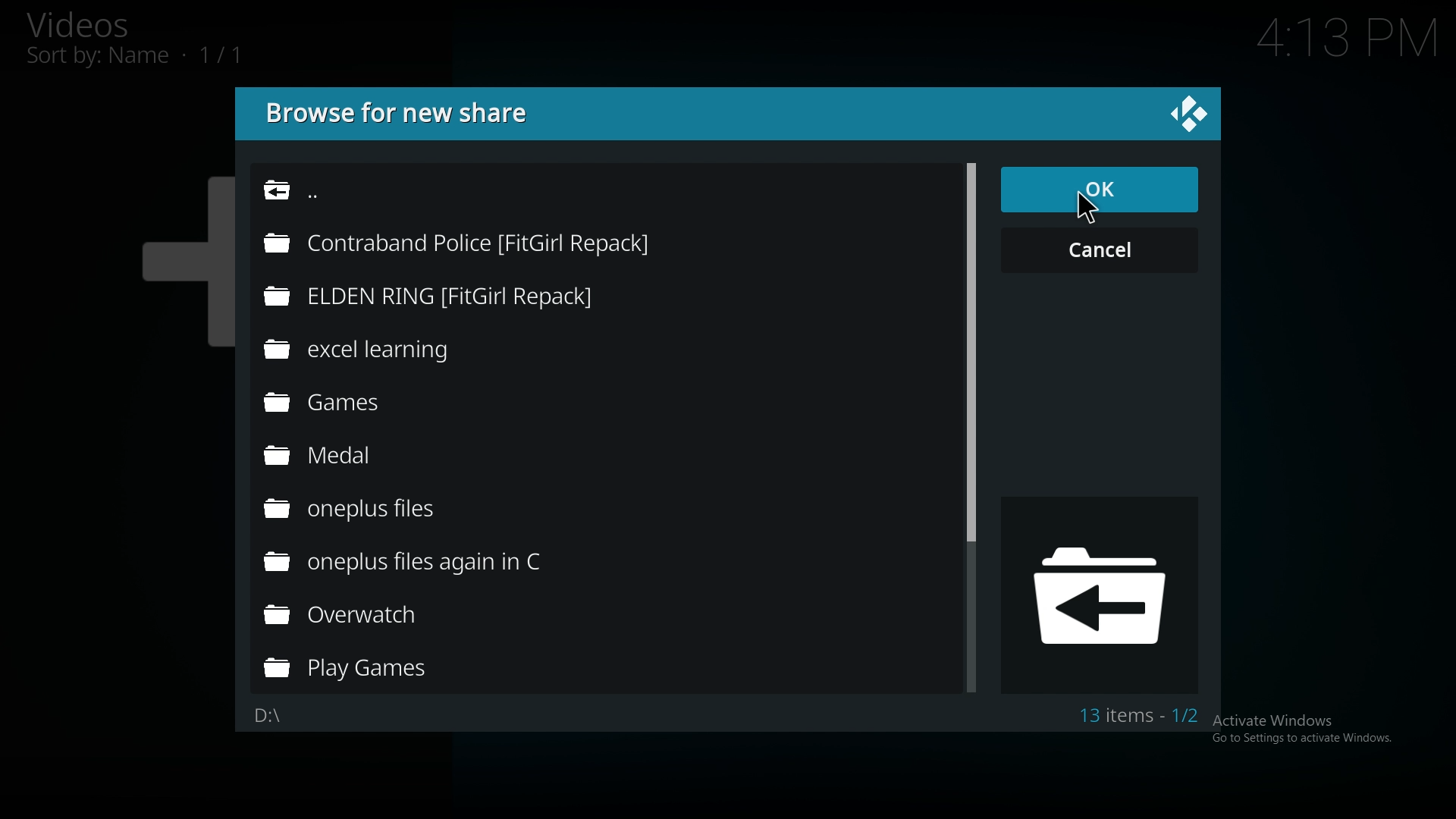  What do you see at coordinates (369, 458) in the screenshot?
I see `folder` at bounding box center [369, 458].